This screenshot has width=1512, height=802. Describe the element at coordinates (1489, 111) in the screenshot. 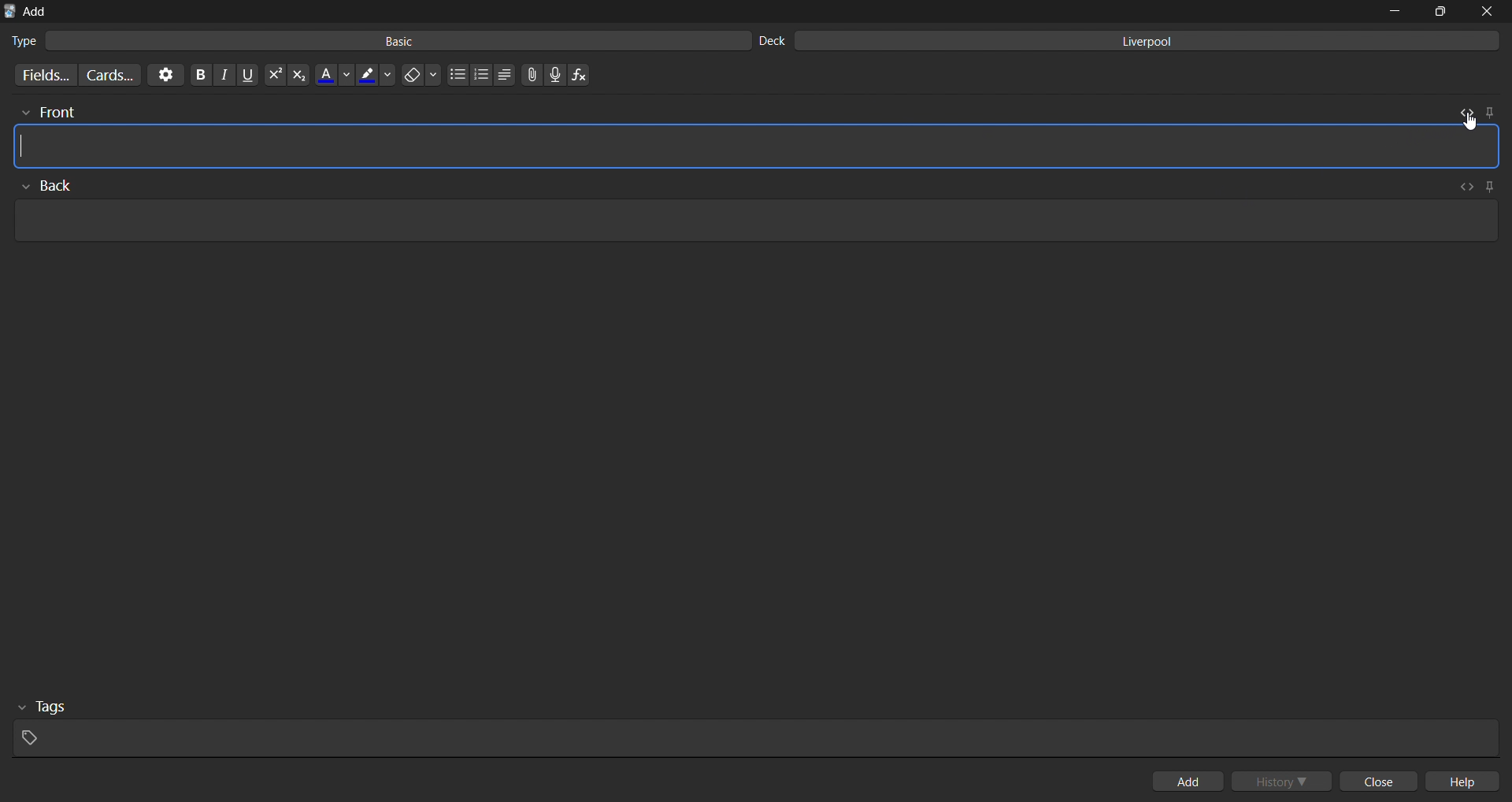

I see `pin` at that location.